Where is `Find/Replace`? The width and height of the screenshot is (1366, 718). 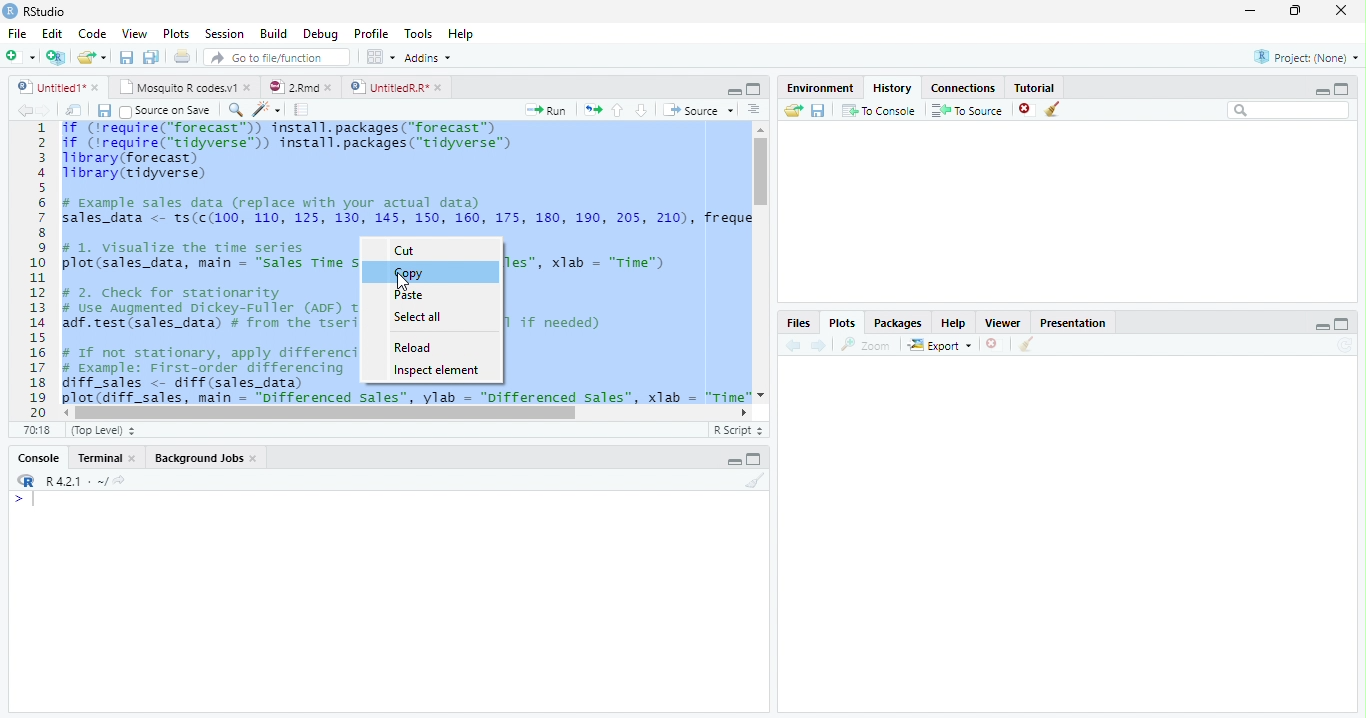
Find/Replace is located at coordinates (233, 110).